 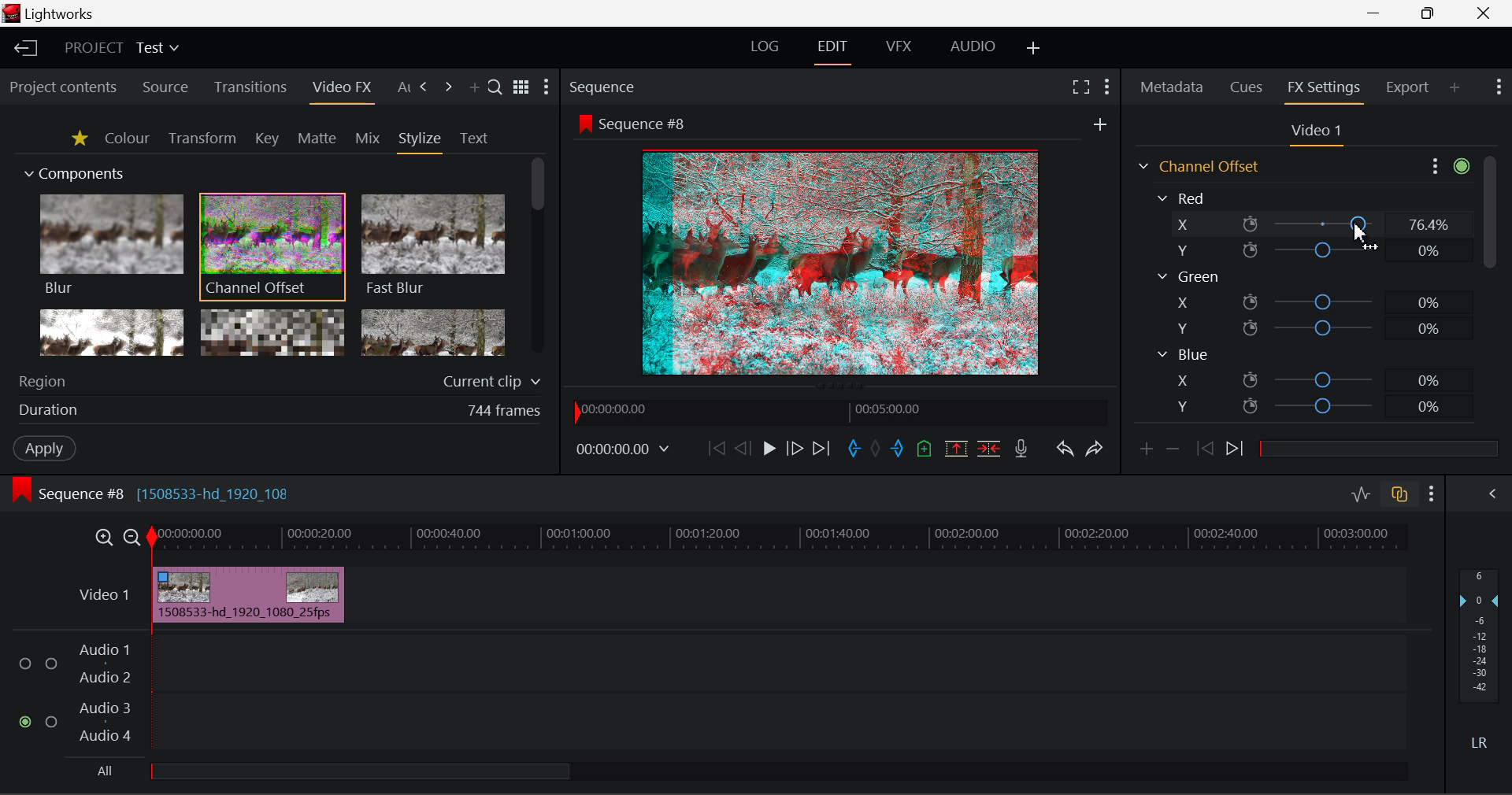 What do you see at coordinates (1145, 453) in the screenshot?
I see `Add keyframe` at bounding box center [1145, 453].